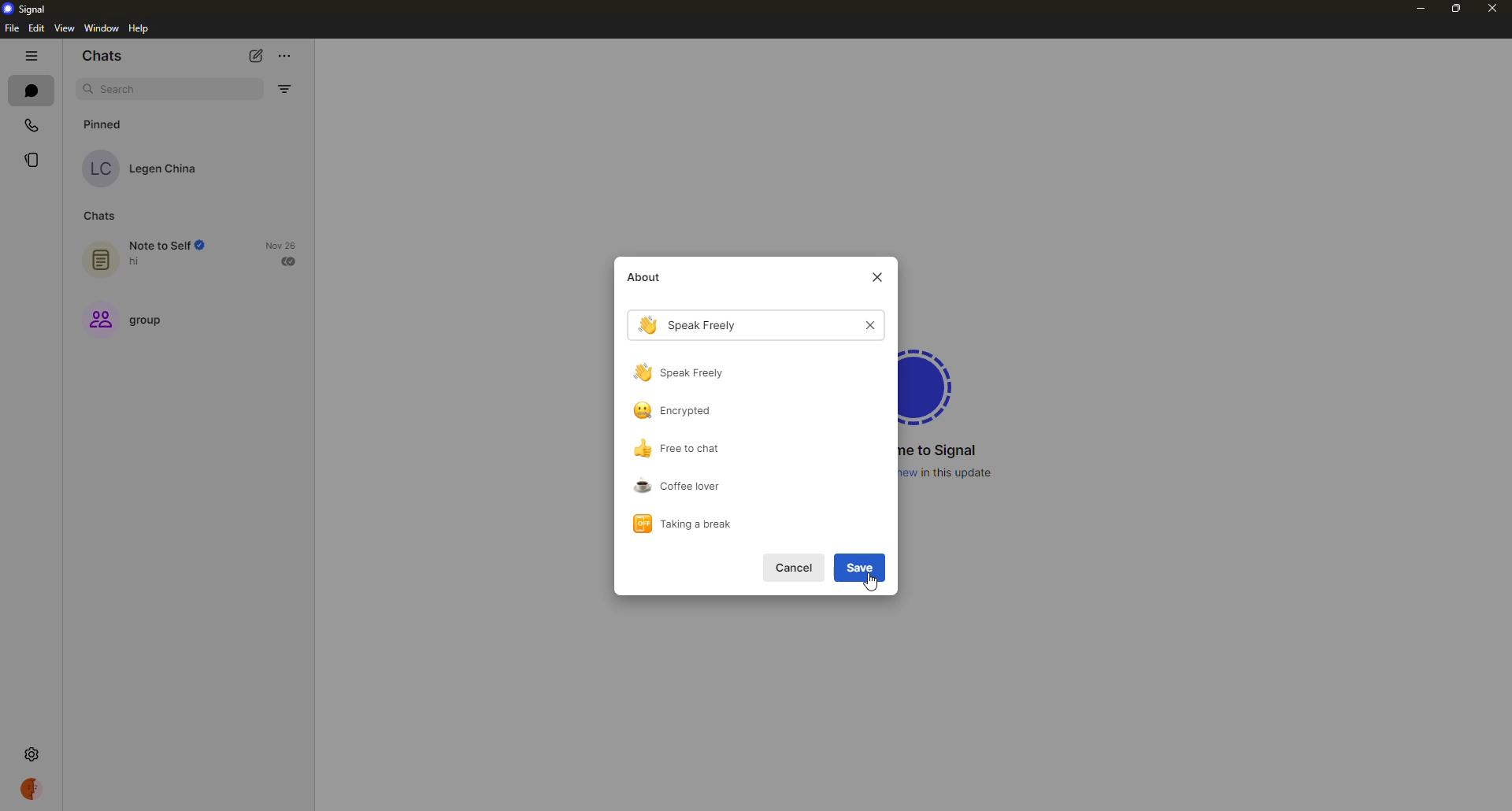 The height and width of the screenshot is (811, 1512). What do you see at coordinates (1454, 9) in the screenshot?
I see `maximize` at bounding box center [1454, 9].